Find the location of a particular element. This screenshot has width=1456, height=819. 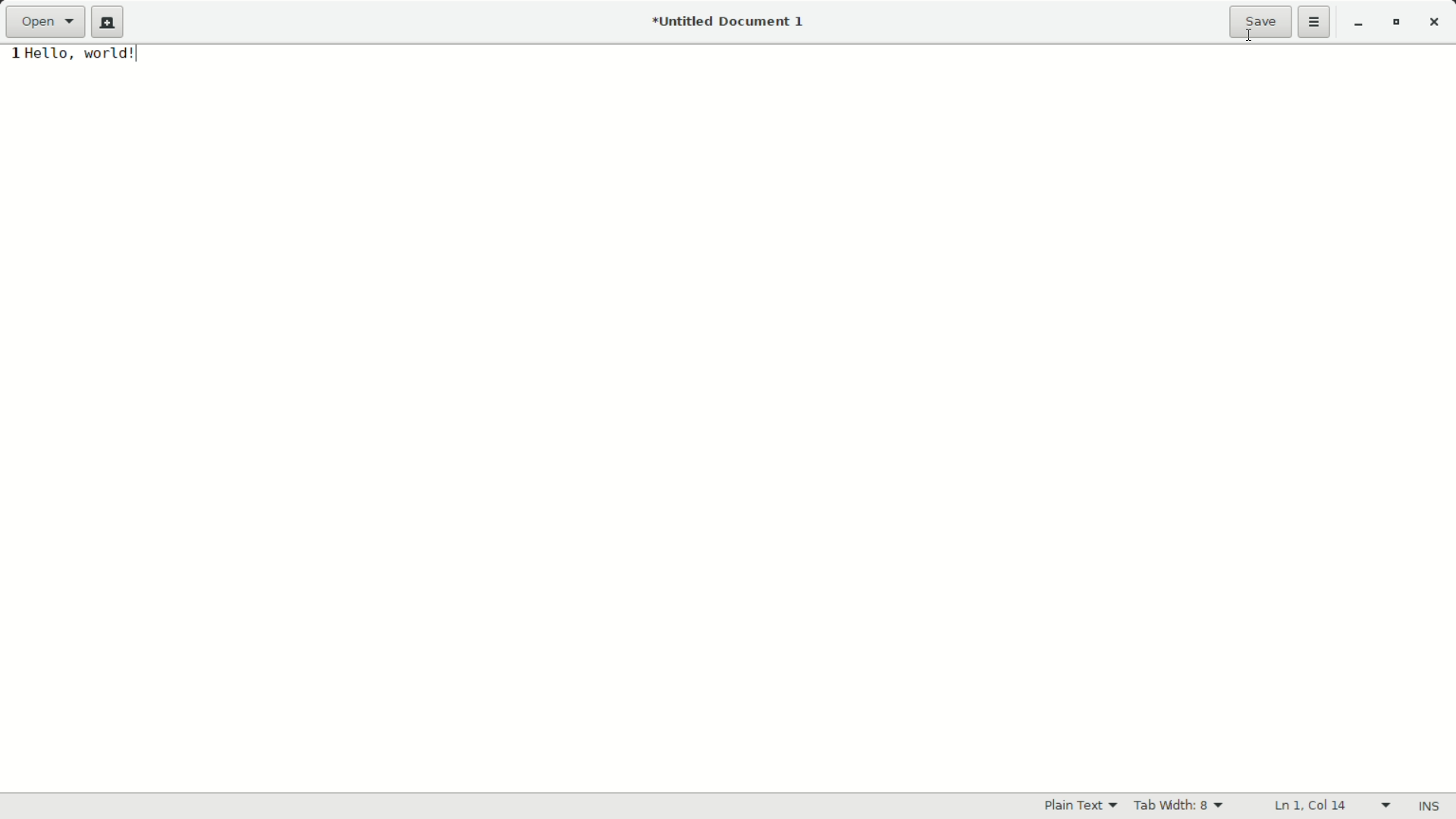

open is located at coordinates (47, 22).